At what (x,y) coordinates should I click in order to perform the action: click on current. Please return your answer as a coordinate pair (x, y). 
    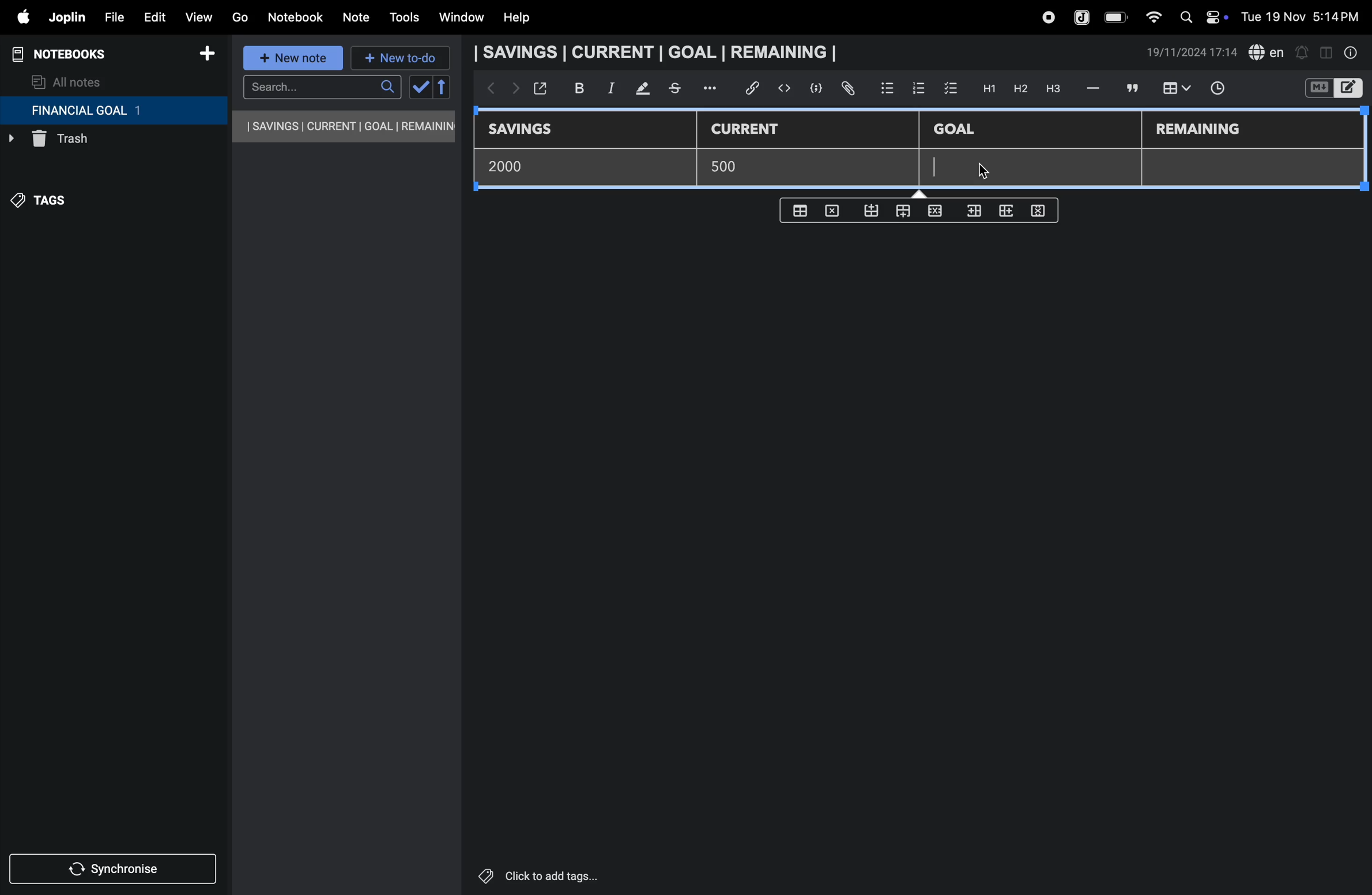
    Looking at the image, I should click on (753, 130).